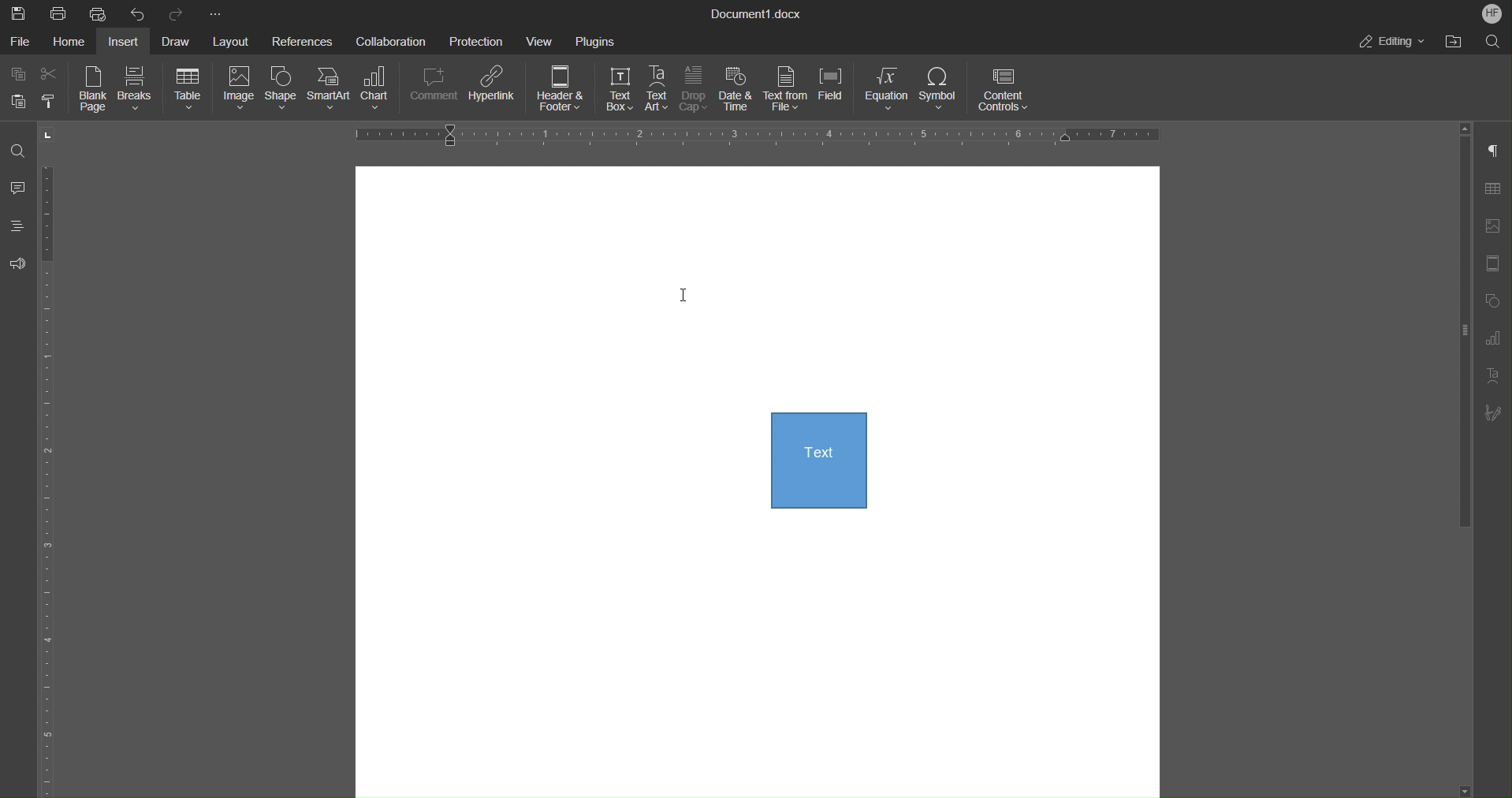 The width and height of the screenshot is (1512, 798). Describe the element at coordinates (1453, 42) in the screenshot. I see `Open File Location` at that location.